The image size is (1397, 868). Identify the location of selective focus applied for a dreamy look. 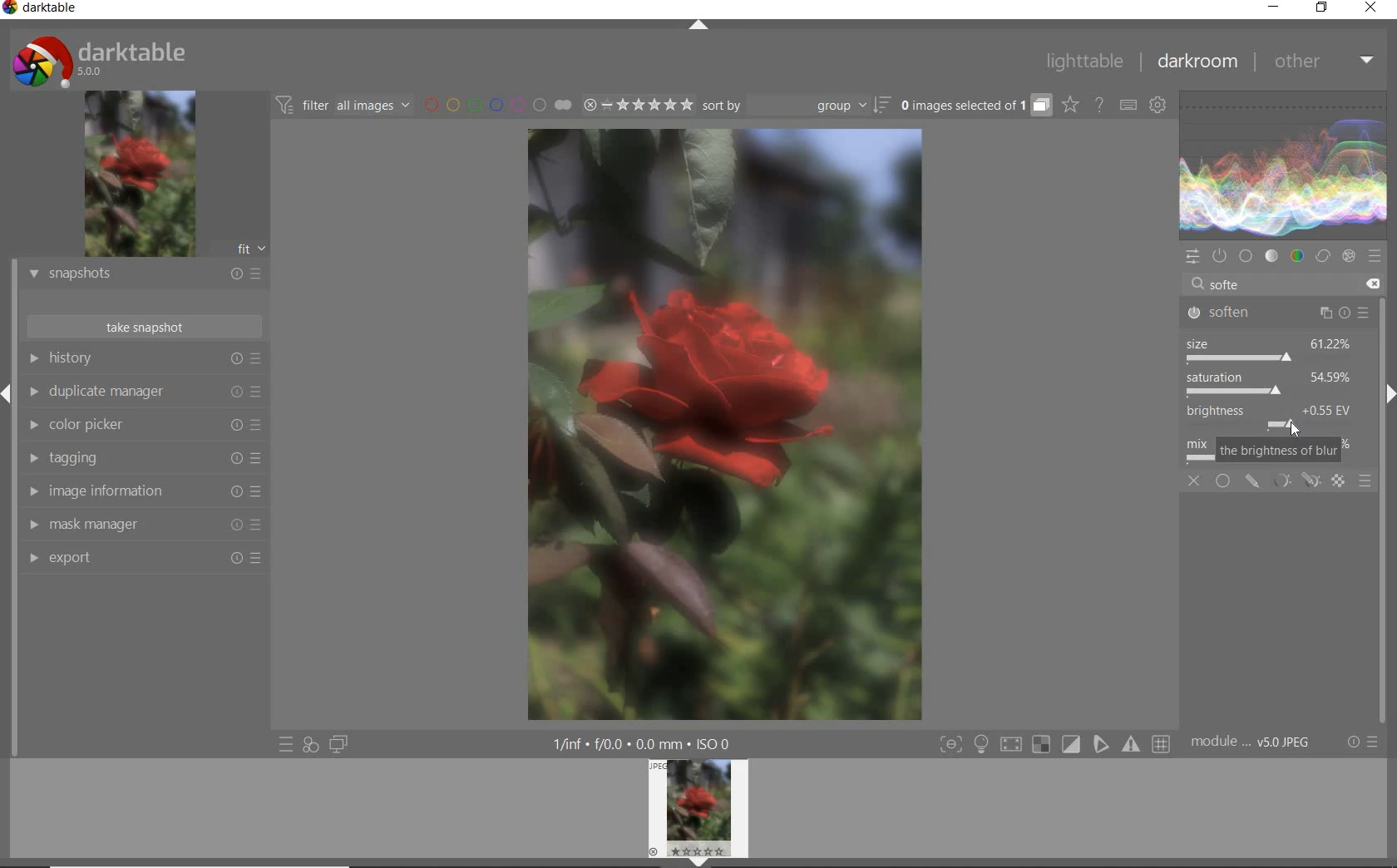
(725, 427).